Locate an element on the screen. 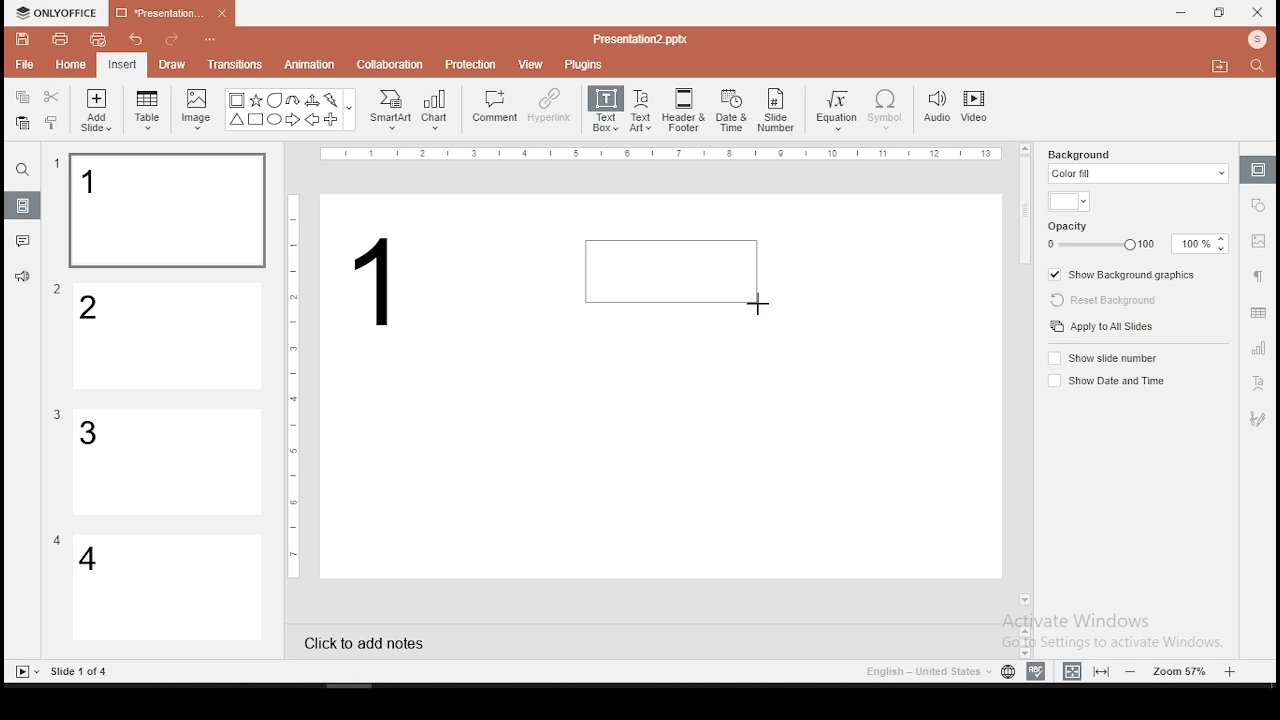 The image size is (1280, 720). fit to slide is located at coordinates (1104, 670).